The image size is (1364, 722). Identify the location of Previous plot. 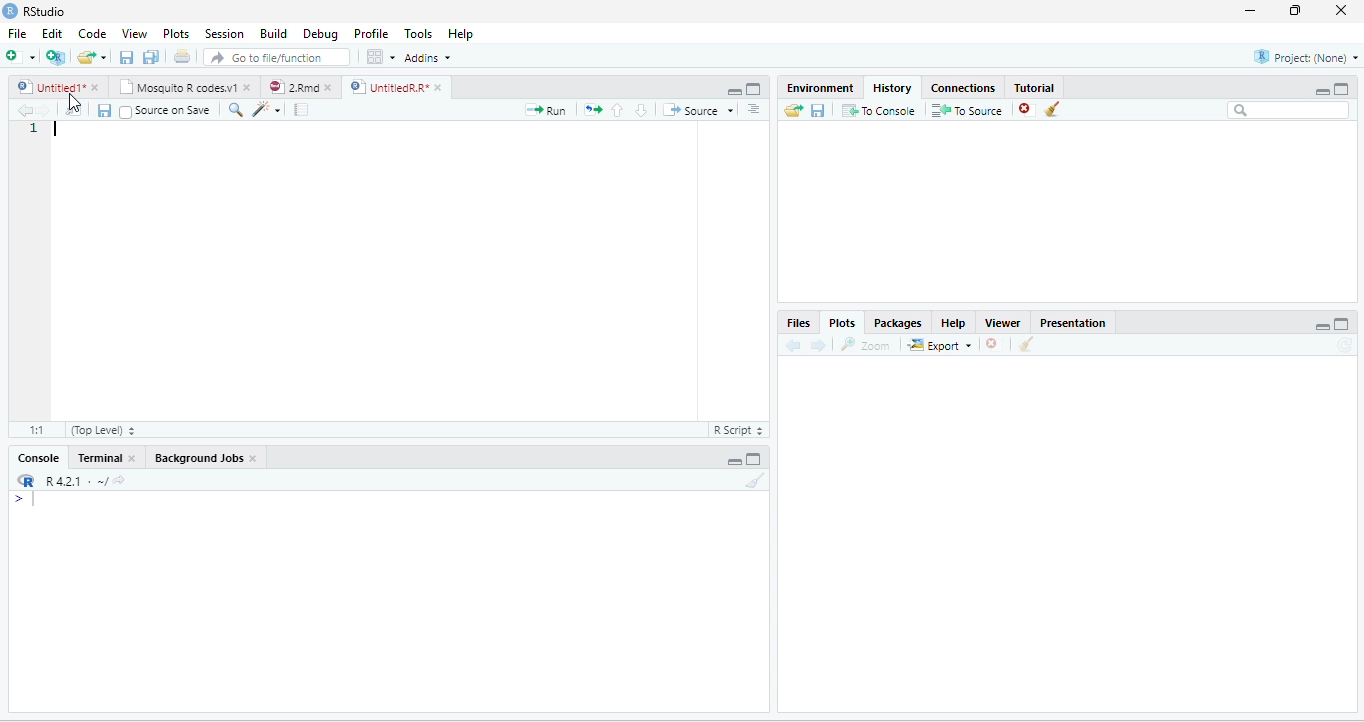
(794, 345).